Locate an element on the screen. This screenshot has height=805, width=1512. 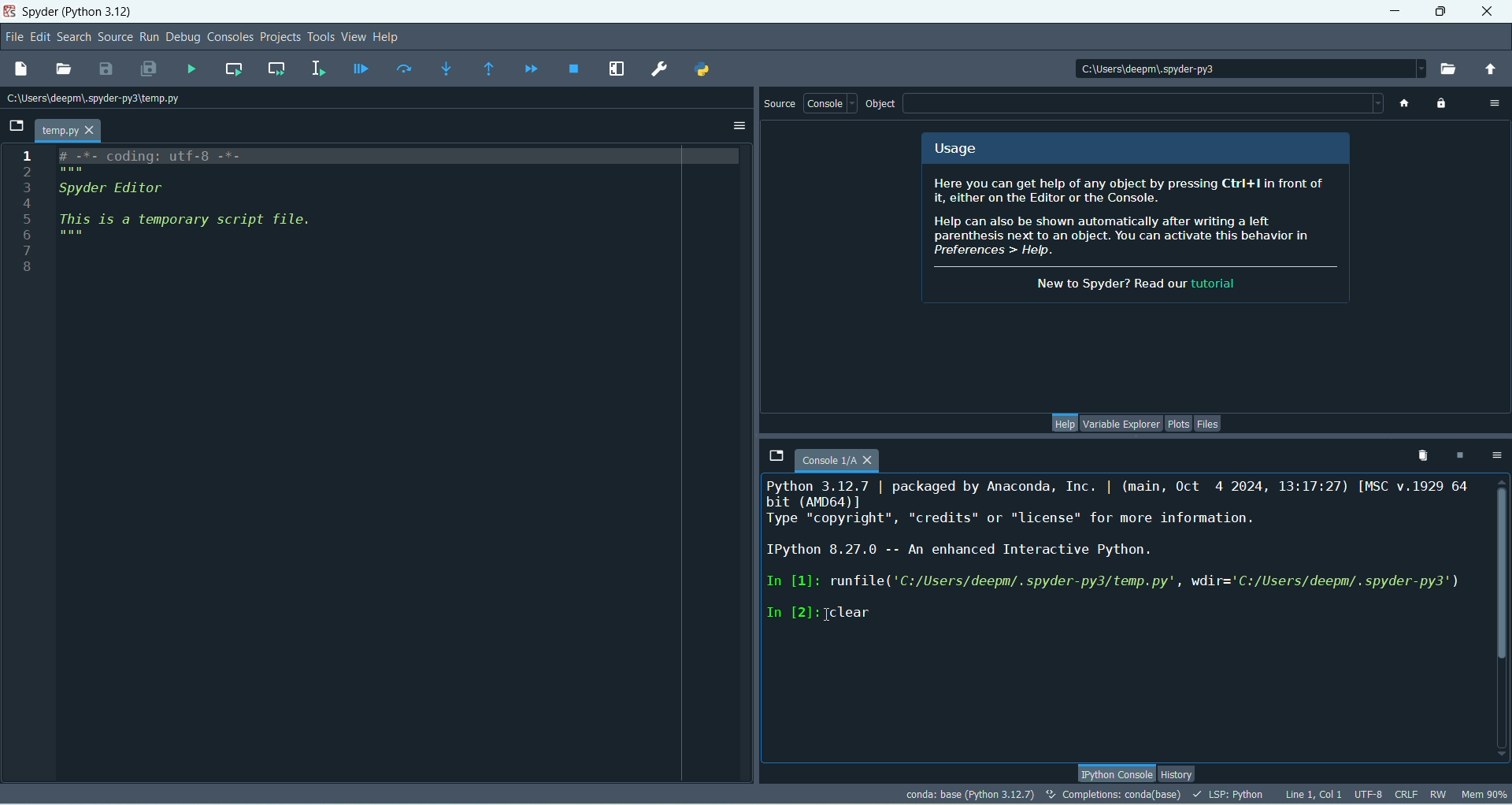
Line, col is located at coordinates (1313, 792).